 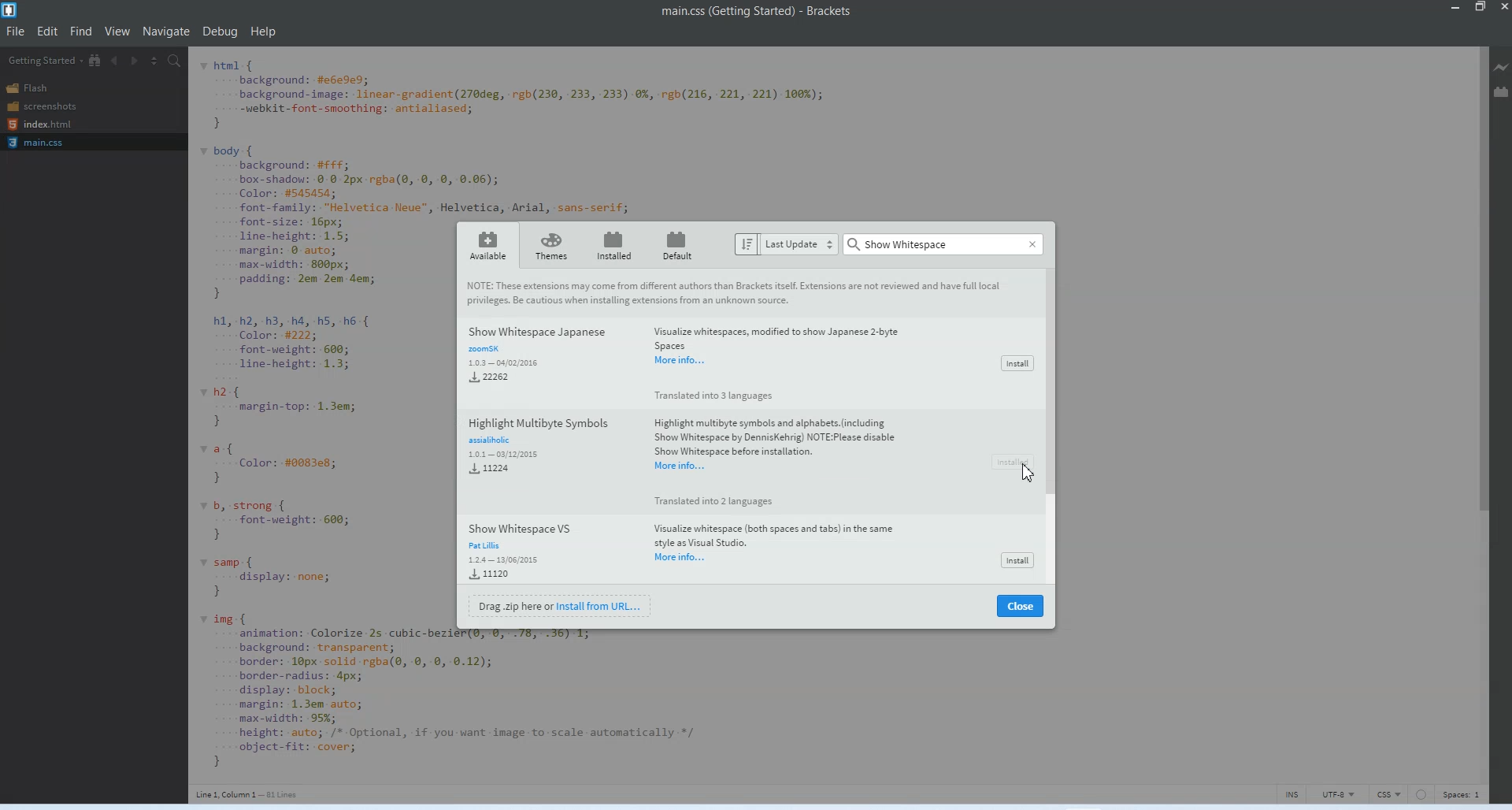 I want to click on Text, so click(x=736, y=293).